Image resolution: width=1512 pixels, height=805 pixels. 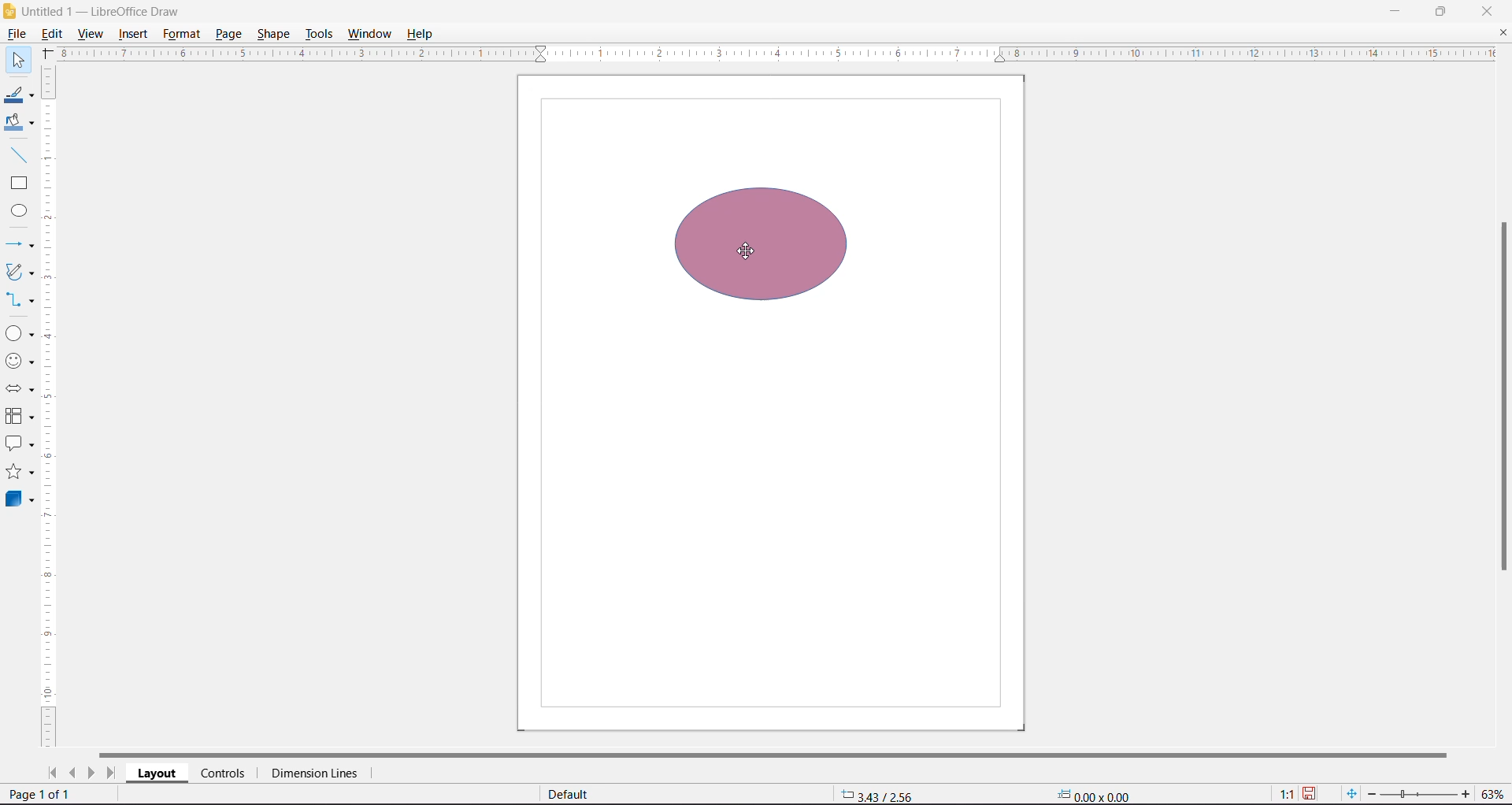 What do you see at coordinates (319, 35) in the screenshot?
I see `Tools` at bounding box center [319, 35].